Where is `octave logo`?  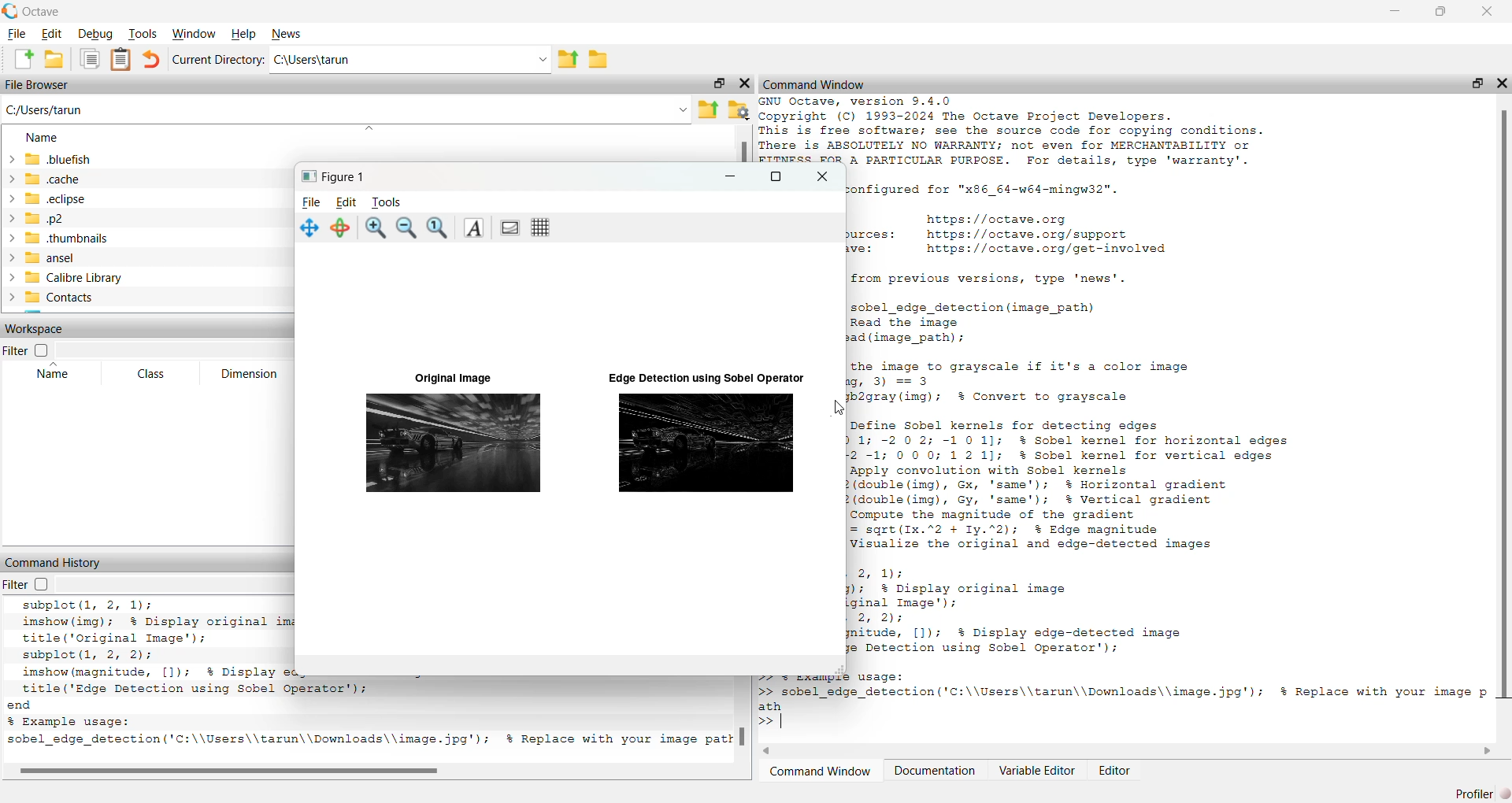
octave logo is located at coordinates (9, 10).